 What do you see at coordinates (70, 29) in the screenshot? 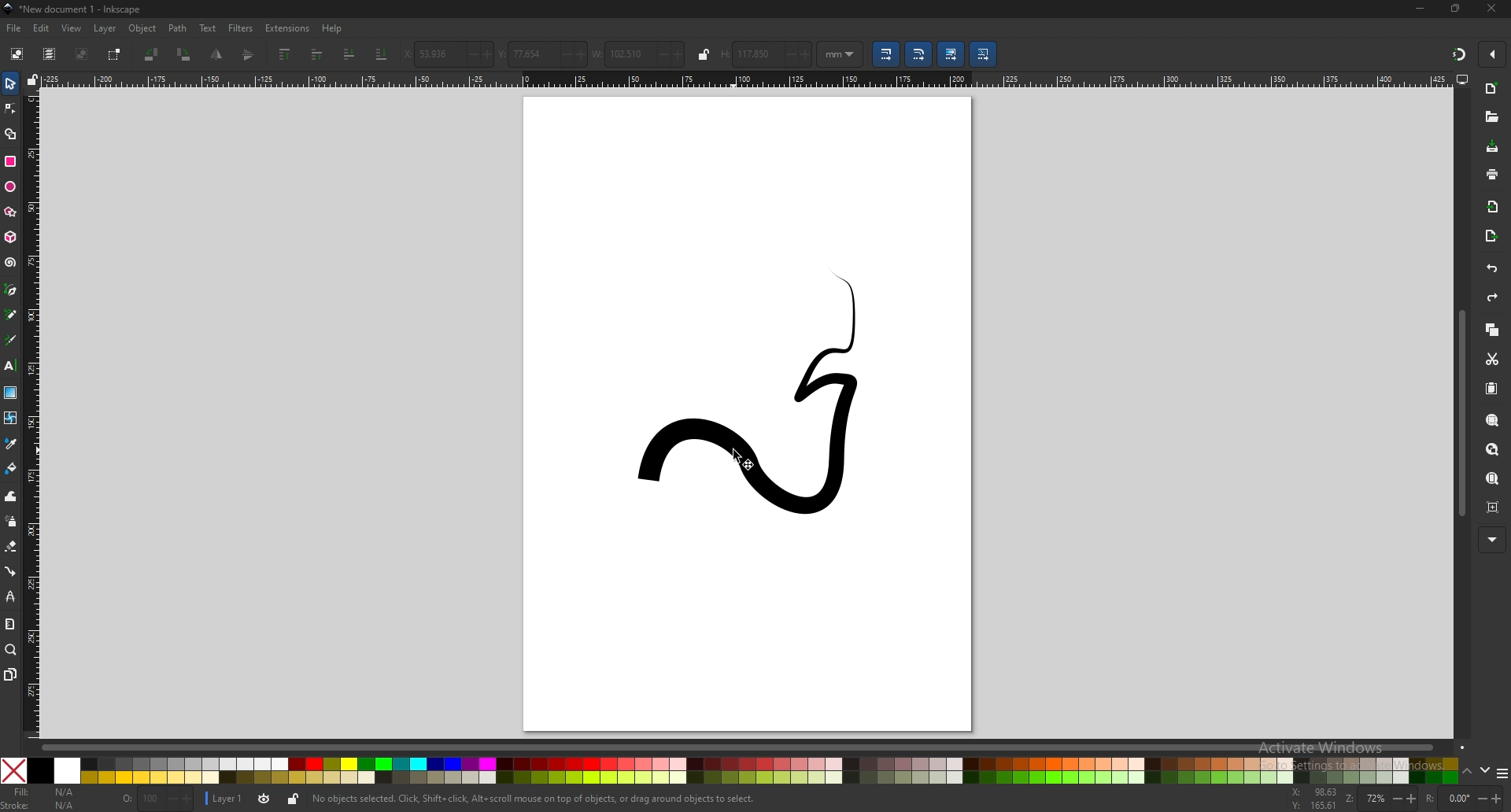
I see `view` at bounding box center [70, 29].